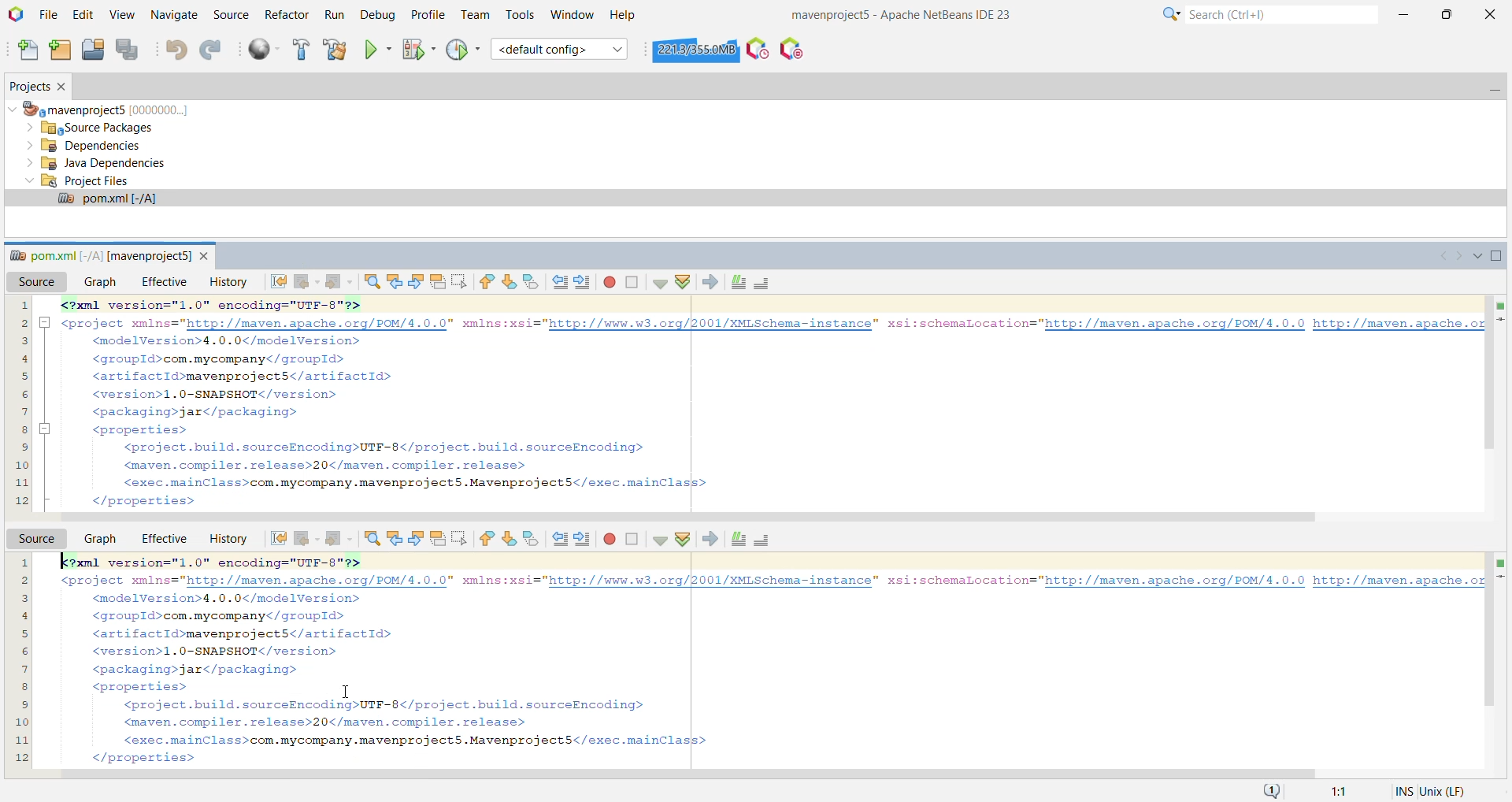 Image resolution: width=1512 pixels, height=802 pixels. Describe the element at coordinates (560, 49) in the screenshot. I see `Set Project Configuration` at that location.